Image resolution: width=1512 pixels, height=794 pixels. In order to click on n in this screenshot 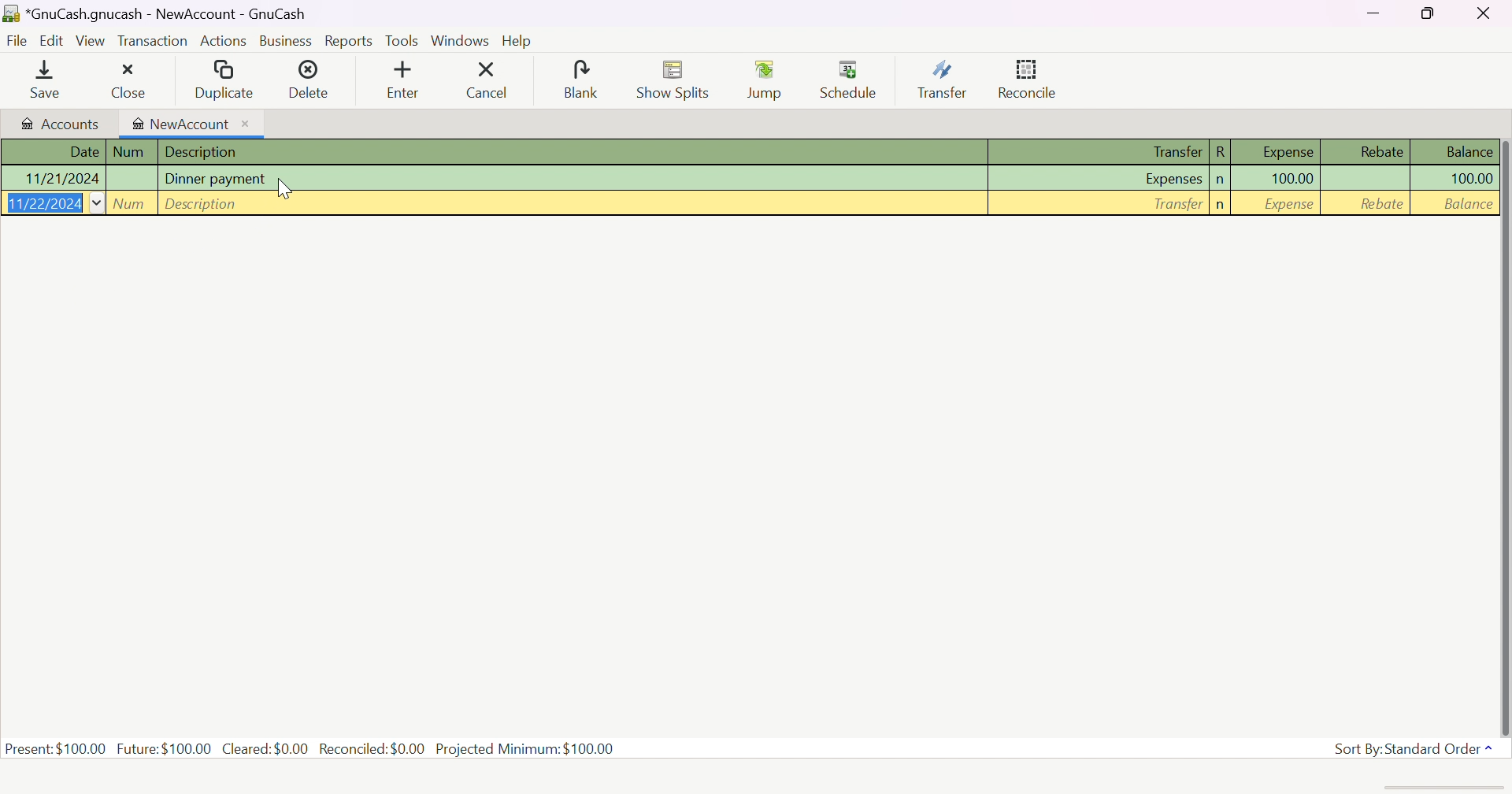, I will do `click(1224, 205)`.